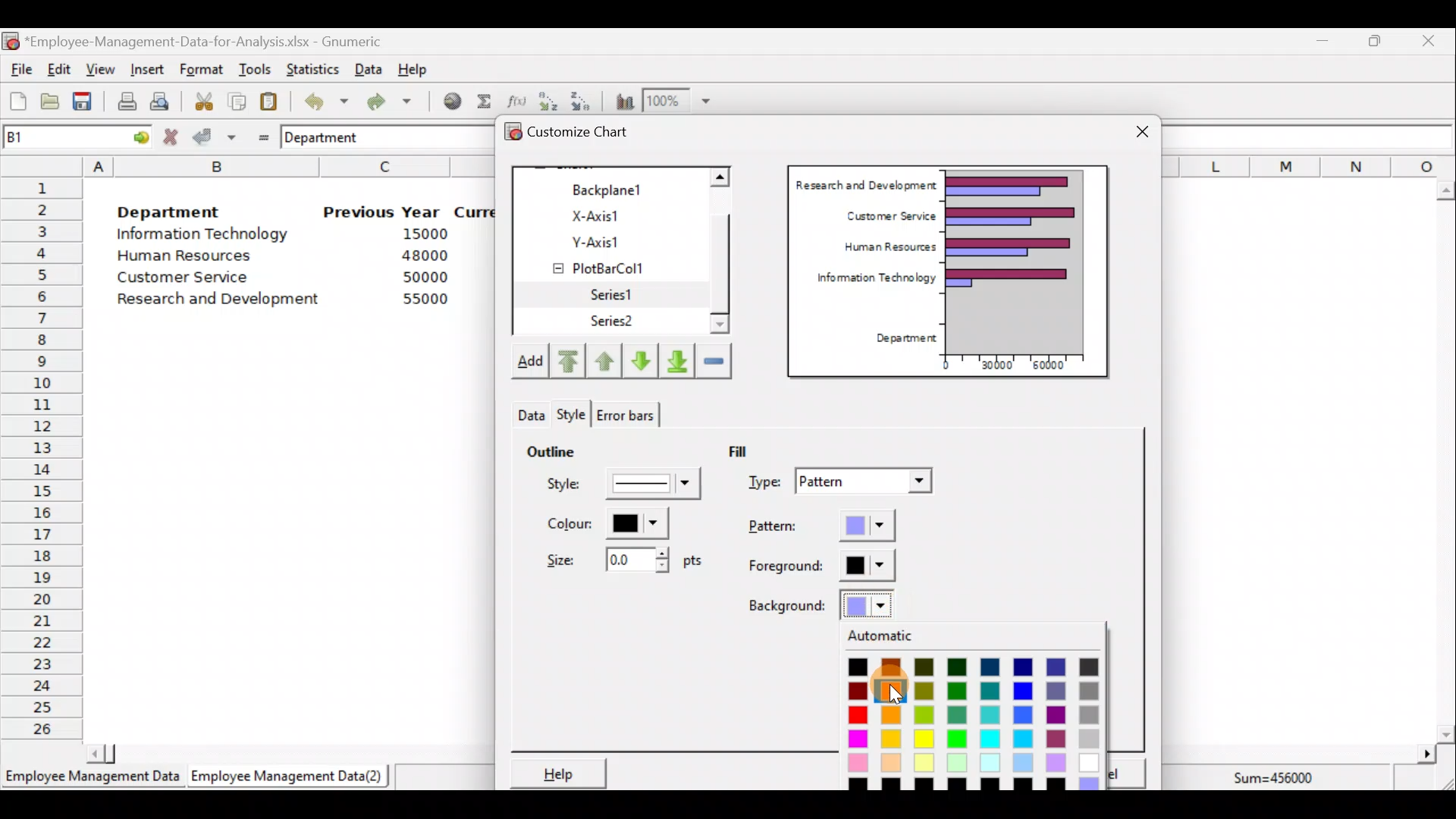 This screenshot has height=819, width=1456. I want to click on Insert, so click(146, 70).